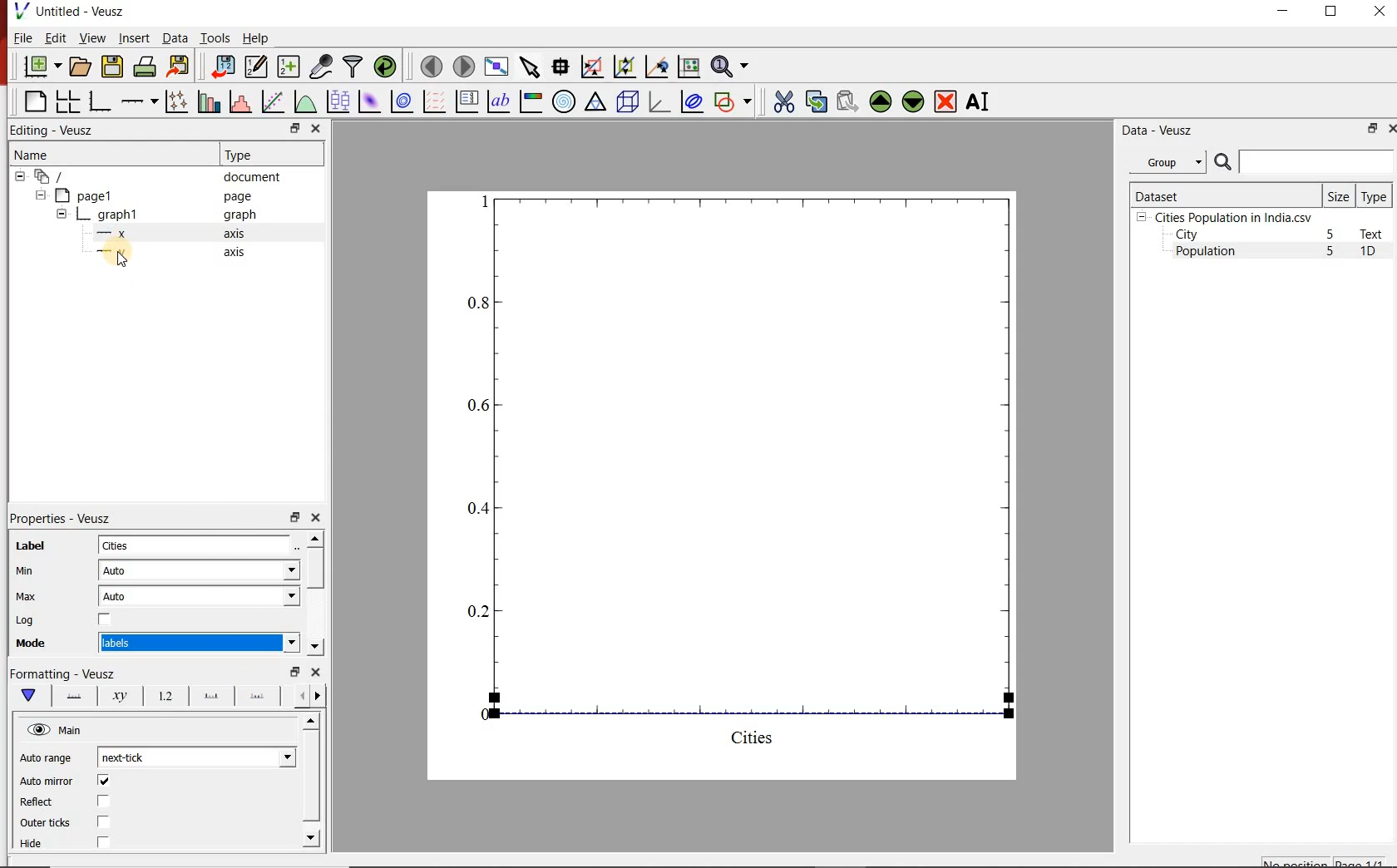 Image resolution: width=1397 pixels, height=868 pixels. What do you see at coordinates (174, 101) in the screenshot?
I see `plot points with lines and errorbars` at bounding box center [174, 101].